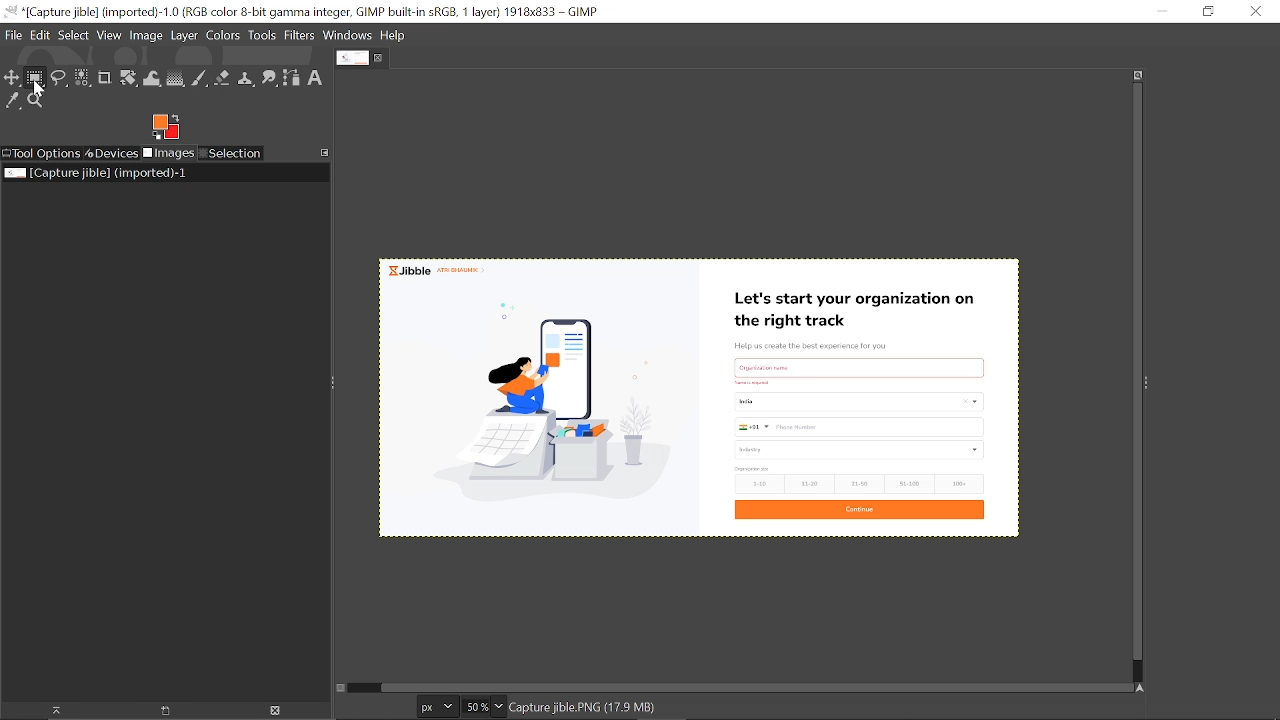 The height and width of the screenshot is (720, 1280). What do you see at coordinates (60, 79) in the screenshot?
I see `Free select tool` at bounding box center [60, 79].